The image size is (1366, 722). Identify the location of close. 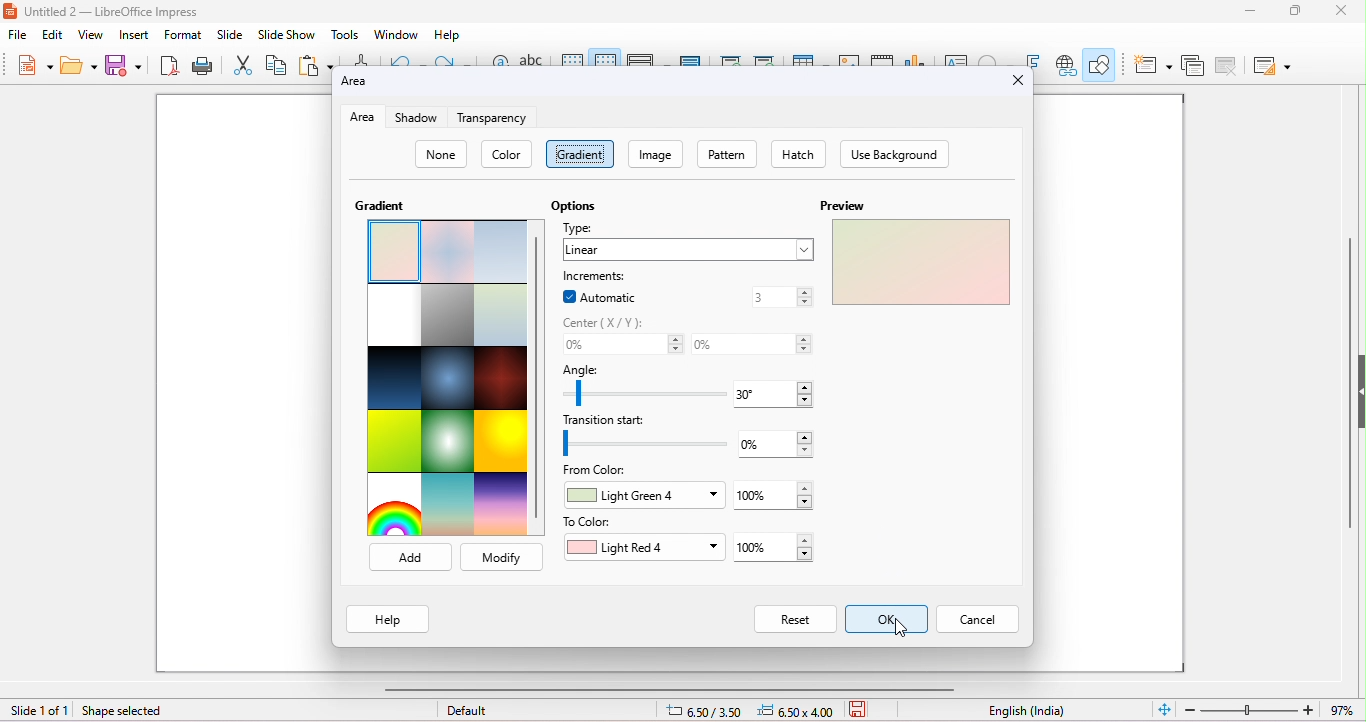
(1339, 11).